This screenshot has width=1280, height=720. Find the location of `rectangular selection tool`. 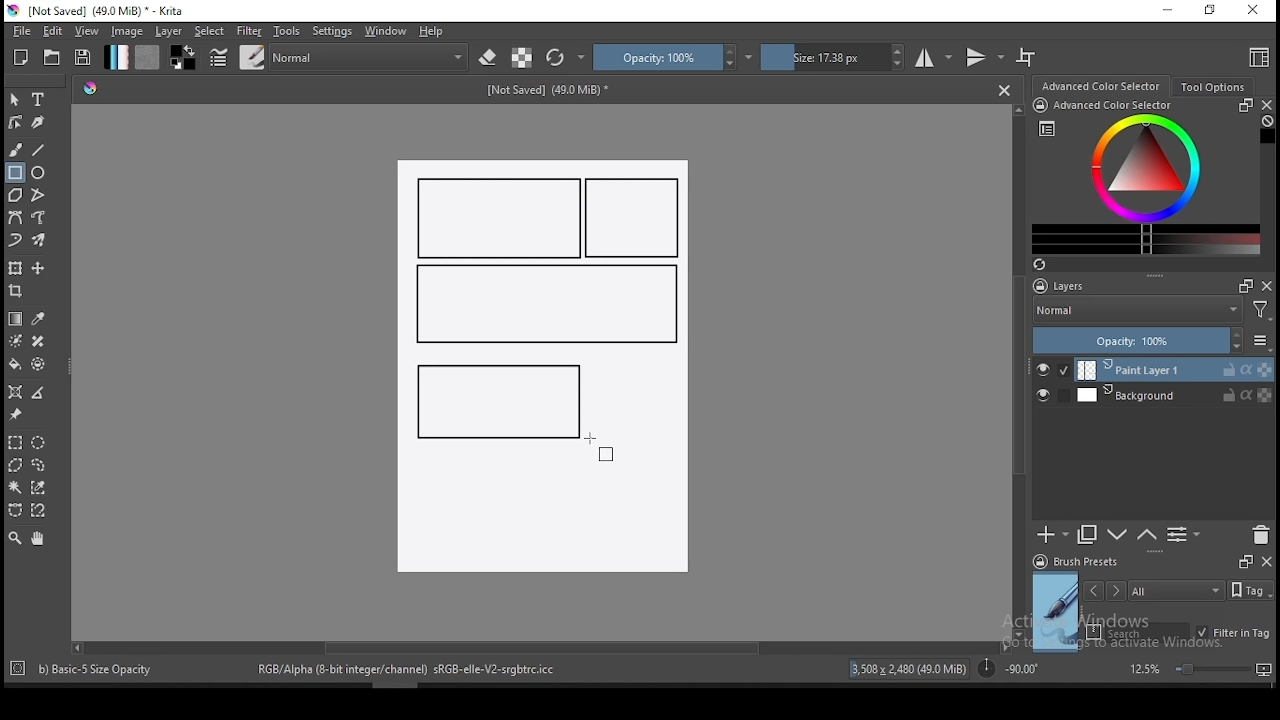

rectangular selection tool is located at coordinates (14, 442).